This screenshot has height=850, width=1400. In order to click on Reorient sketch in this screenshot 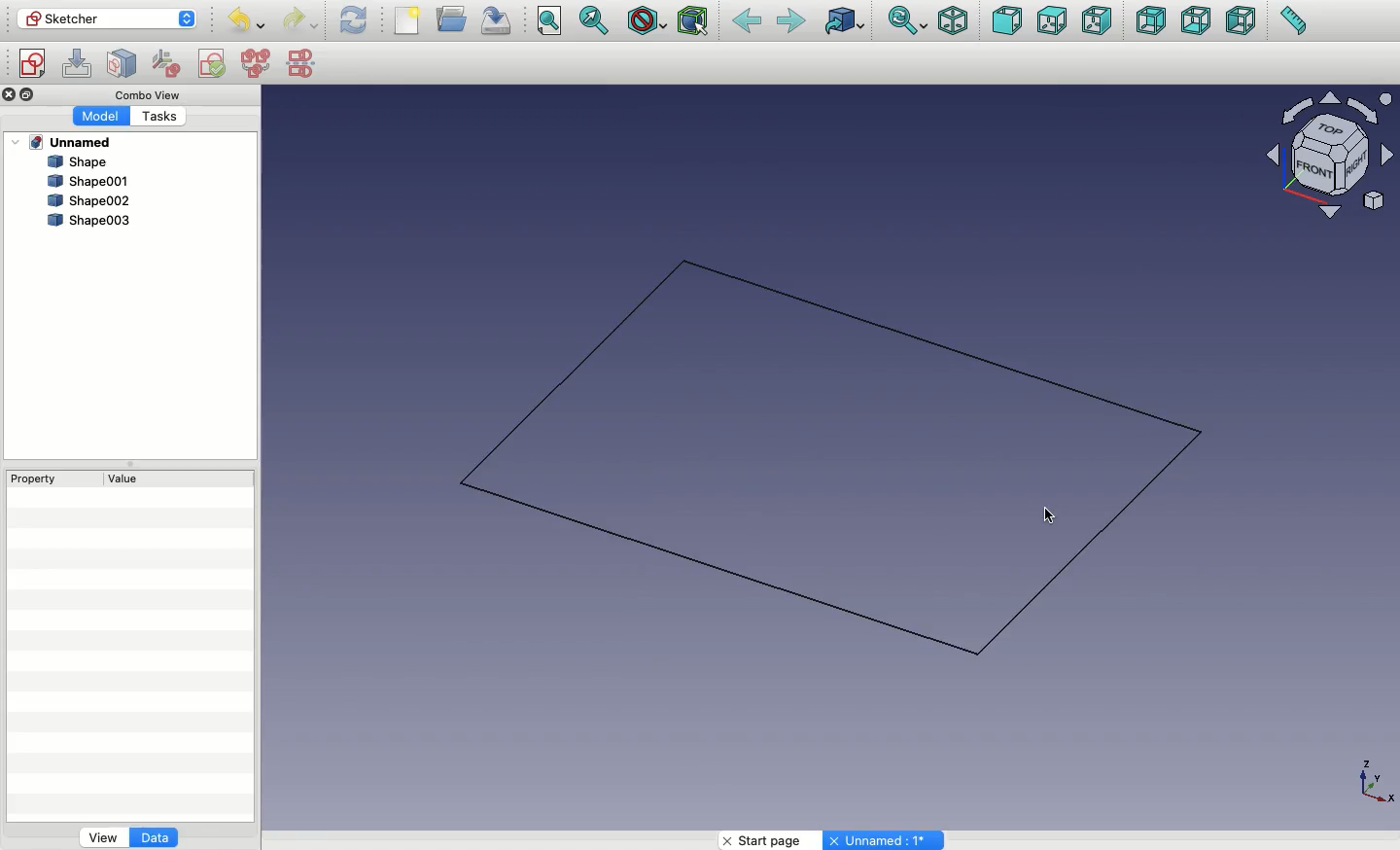, I will do `click(168, 62)`.